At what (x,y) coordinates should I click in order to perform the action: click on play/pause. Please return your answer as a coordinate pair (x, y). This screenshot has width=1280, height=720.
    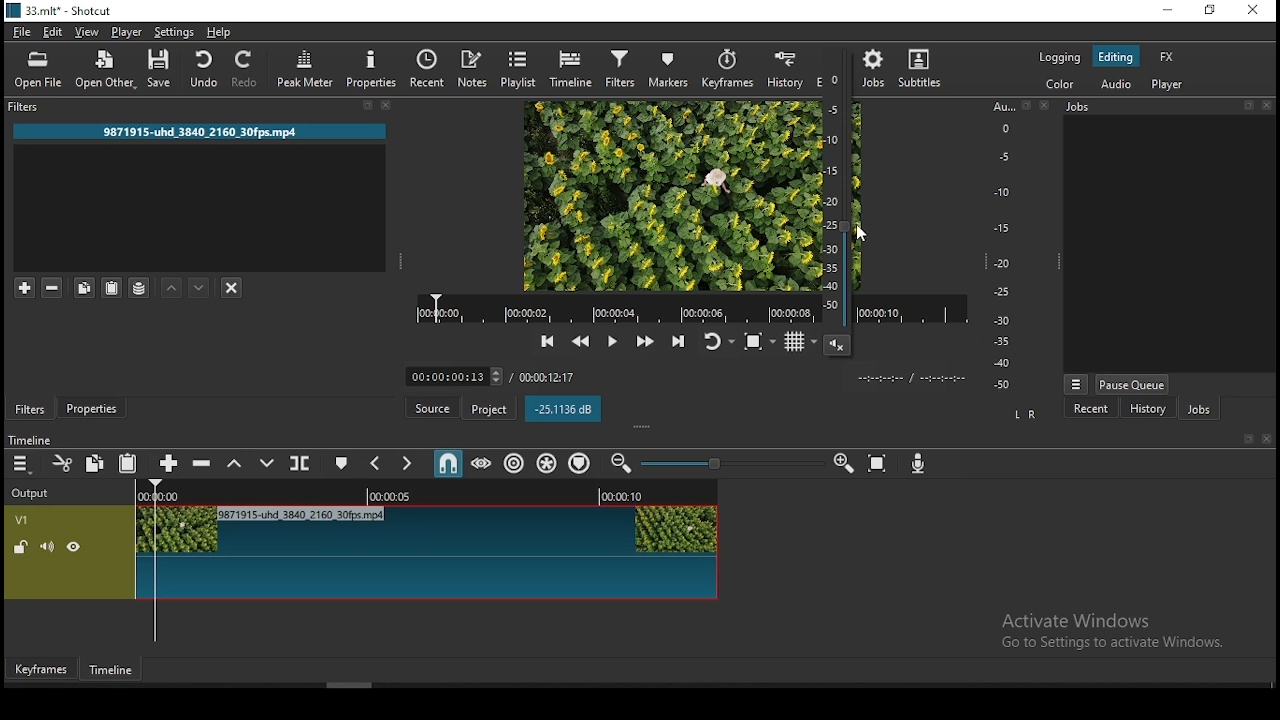
    Looking at the image, I should click on (614, 343).